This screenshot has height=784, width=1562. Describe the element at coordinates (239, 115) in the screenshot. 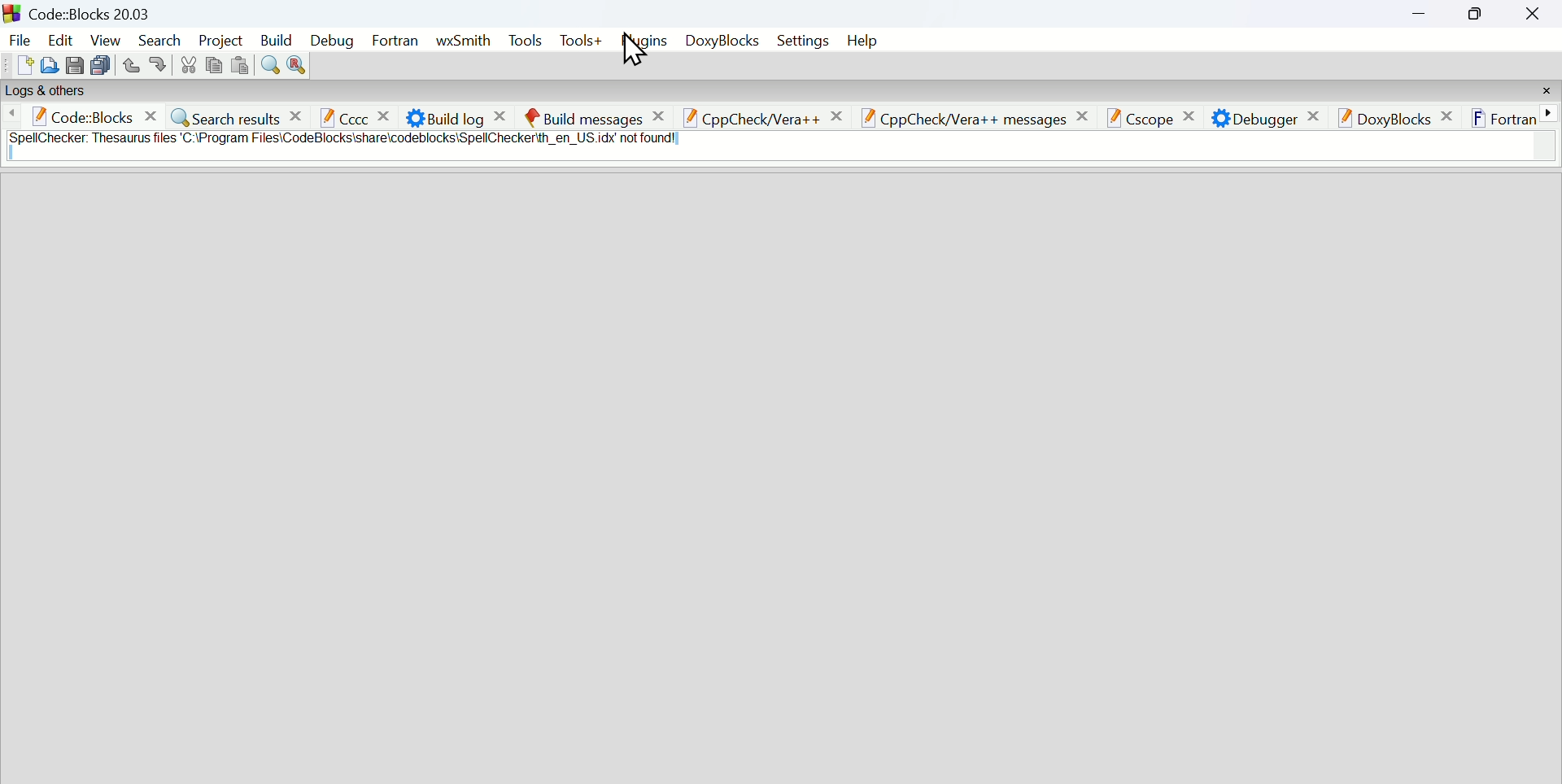

I see `Search results` at that location.